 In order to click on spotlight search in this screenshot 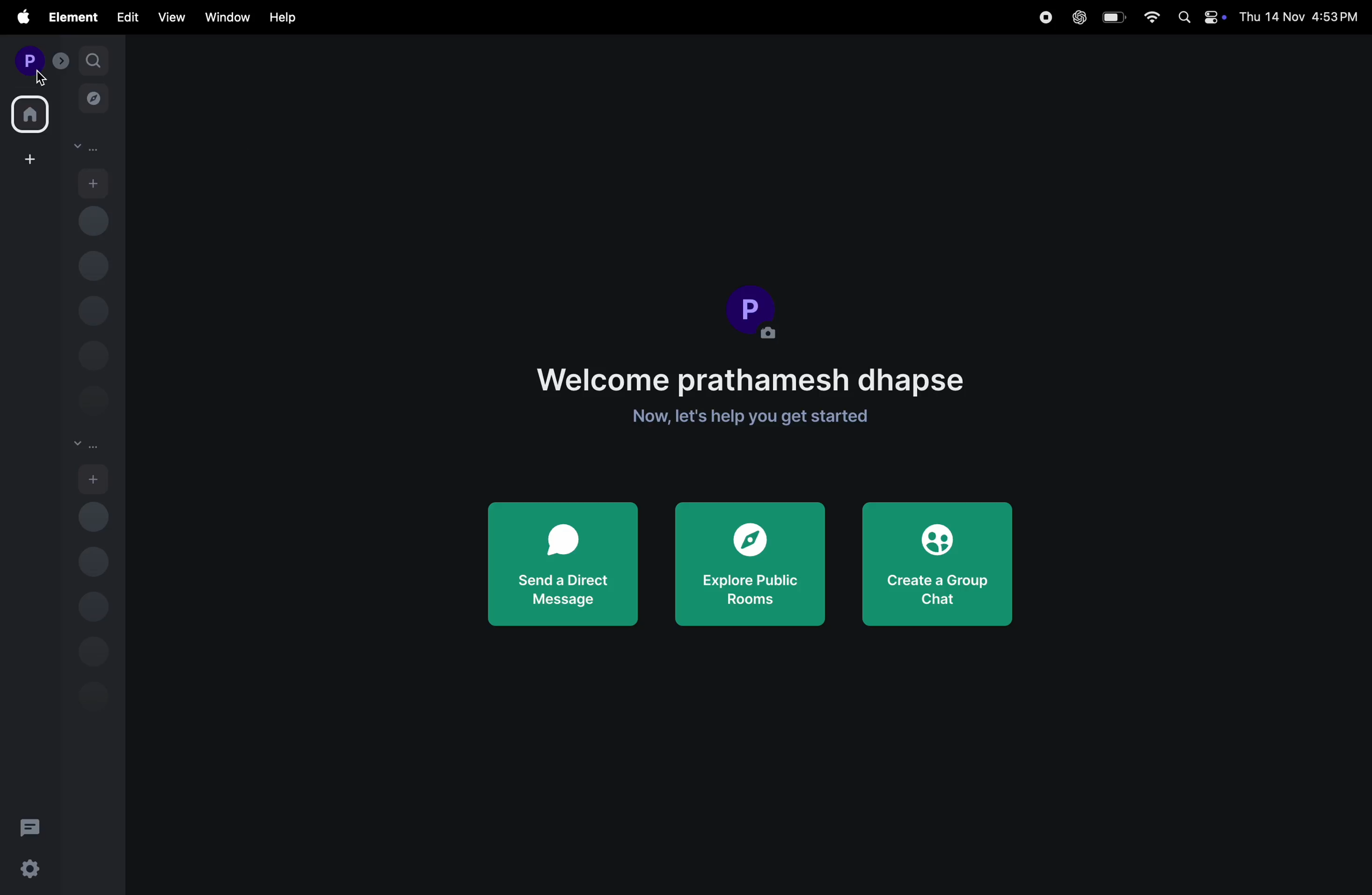, I will do `click(1181, 16)`.